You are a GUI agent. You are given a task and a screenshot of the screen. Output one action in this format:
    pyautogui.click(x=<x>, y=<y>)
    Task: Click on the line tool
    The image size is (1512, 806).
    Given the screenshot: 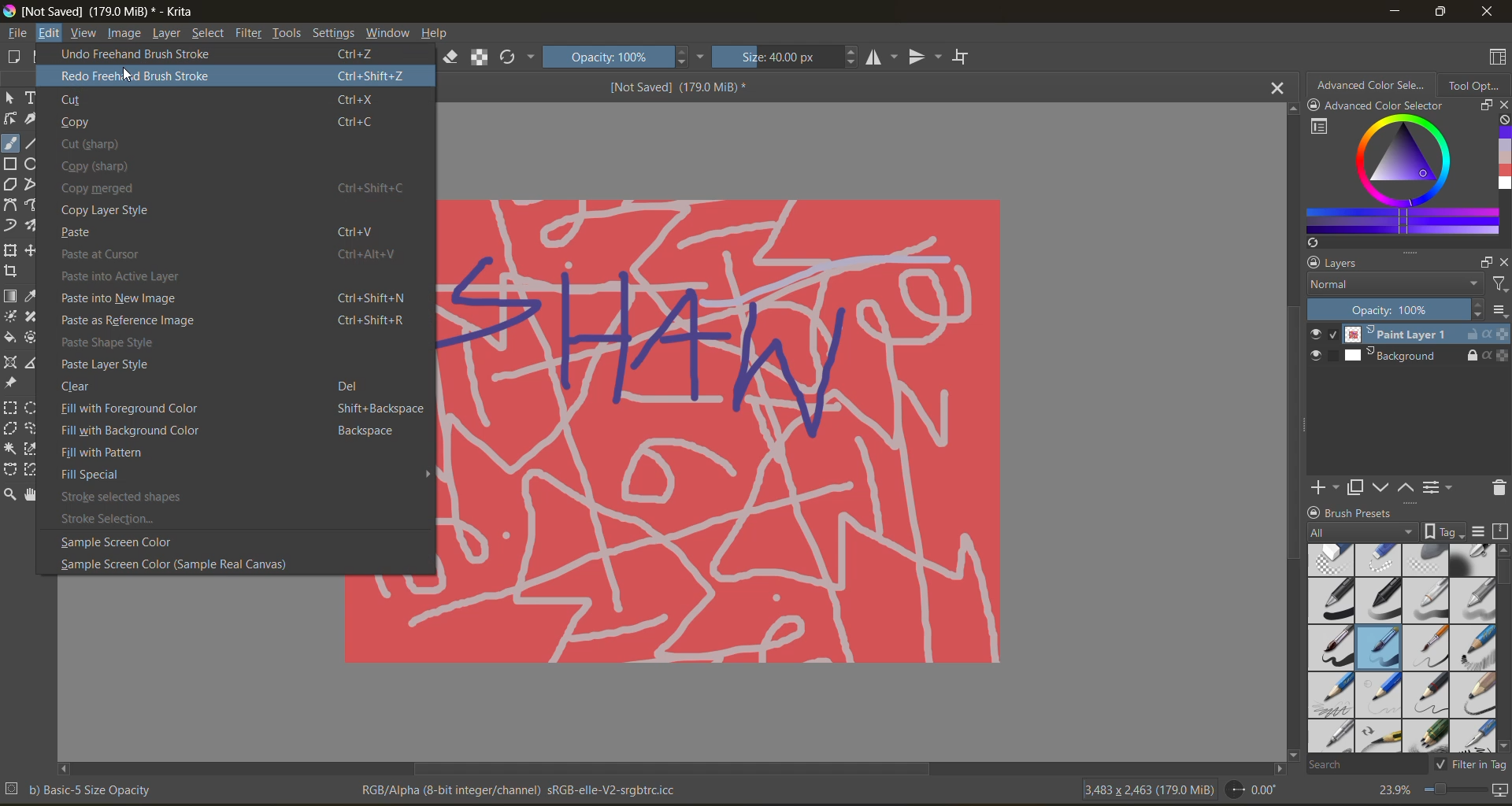 What is the action you would take?
    pyautogui.click(x=34, y=143)
    